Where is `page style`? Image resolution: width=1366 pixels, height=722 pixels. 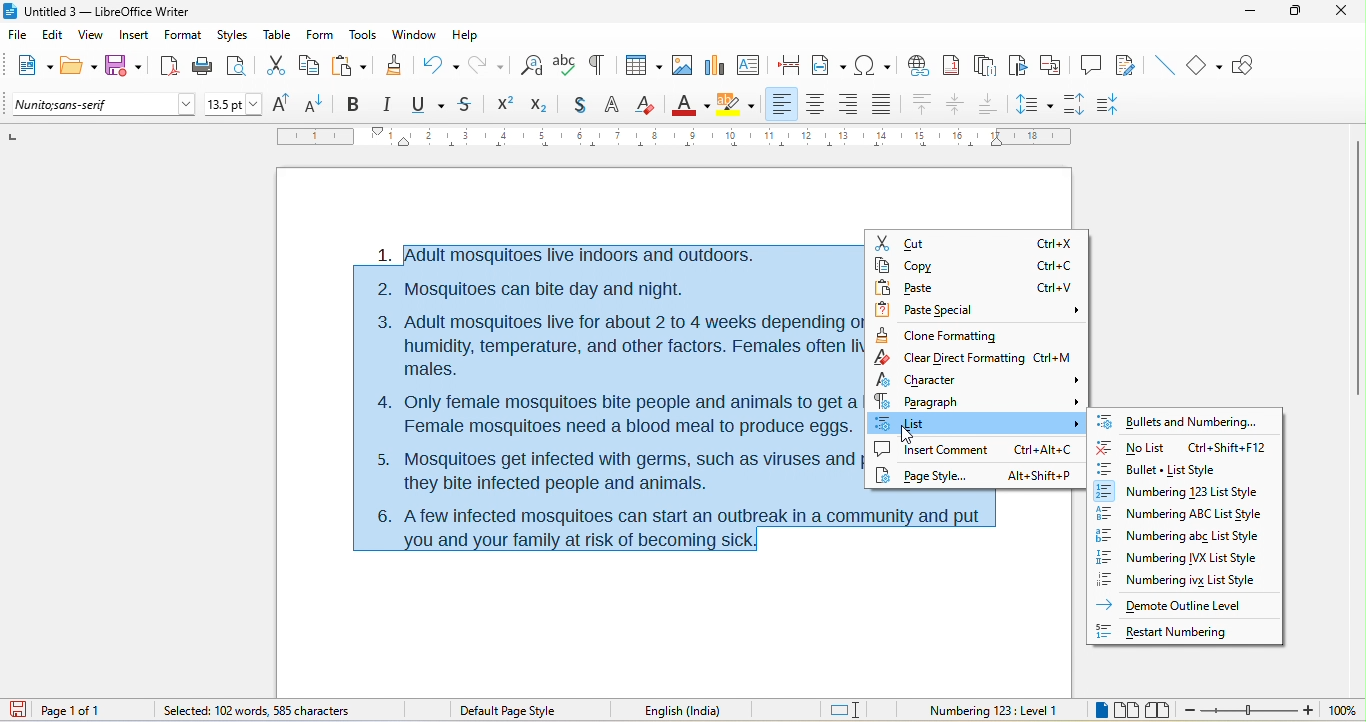 page style is located at coordinates (975, 480).